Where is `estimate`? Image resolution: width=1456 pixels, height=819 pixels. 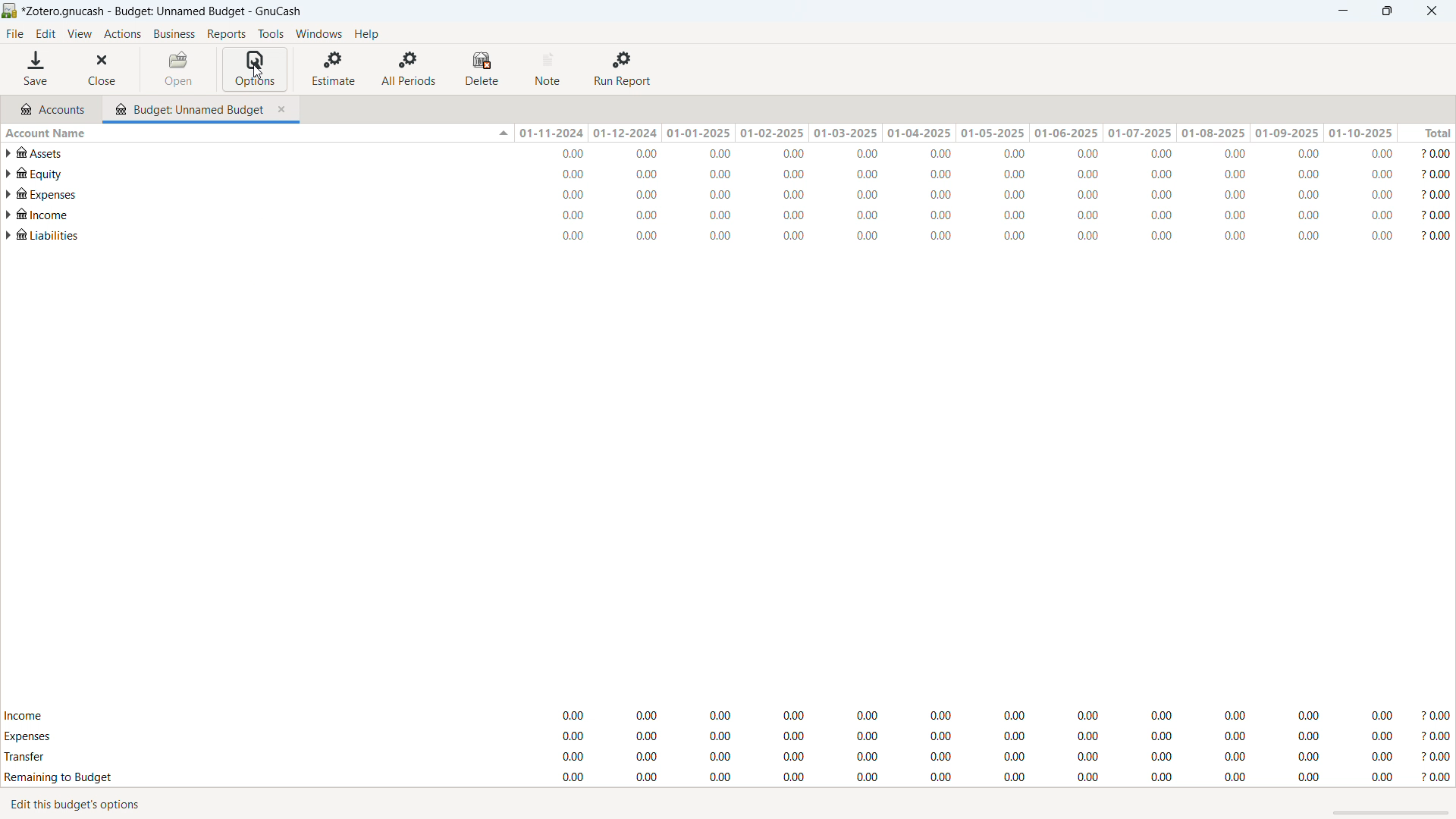
estimate is located at coordinates (335, 67).